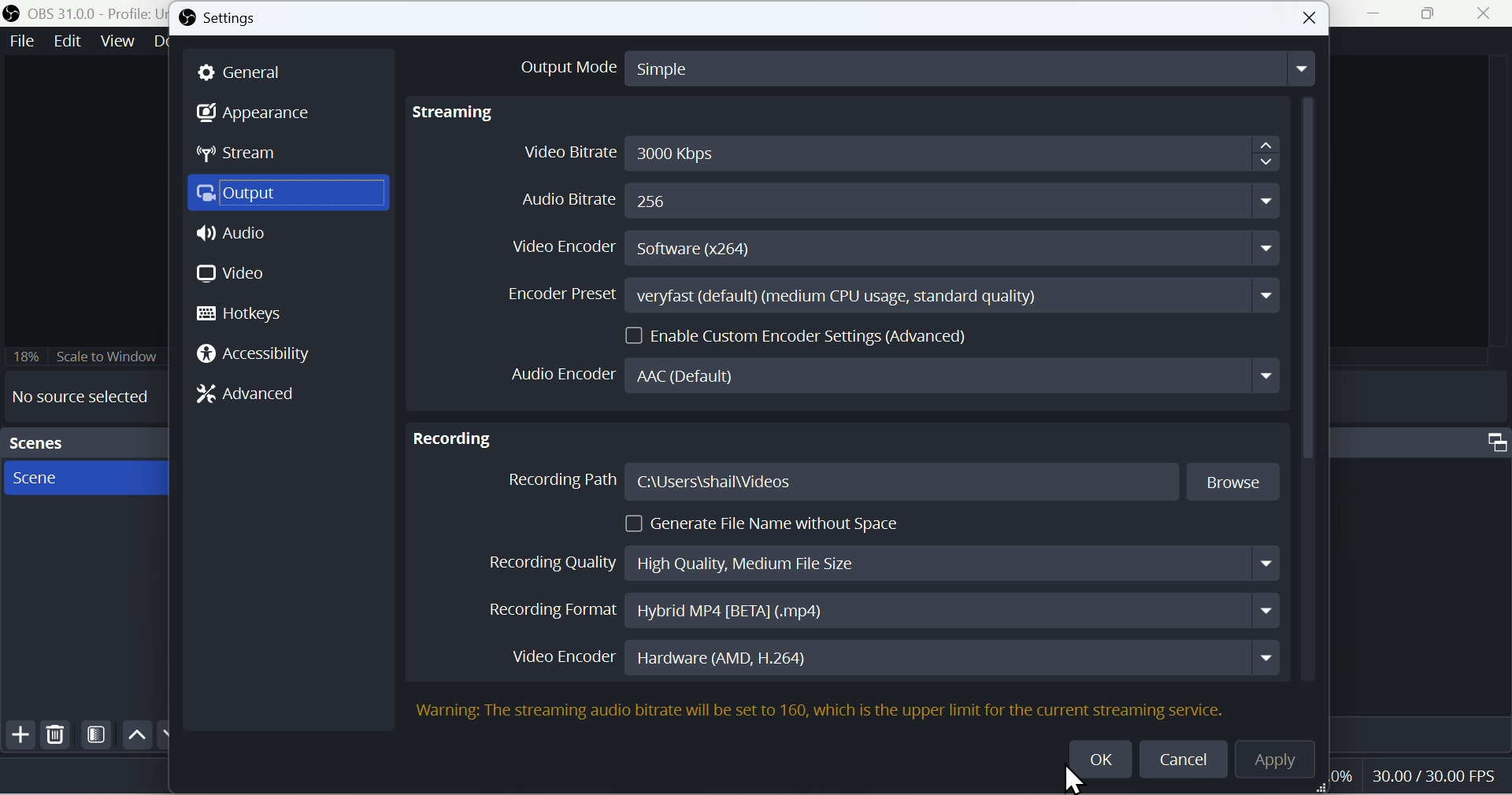  I want to click on up, so click(135, 734).